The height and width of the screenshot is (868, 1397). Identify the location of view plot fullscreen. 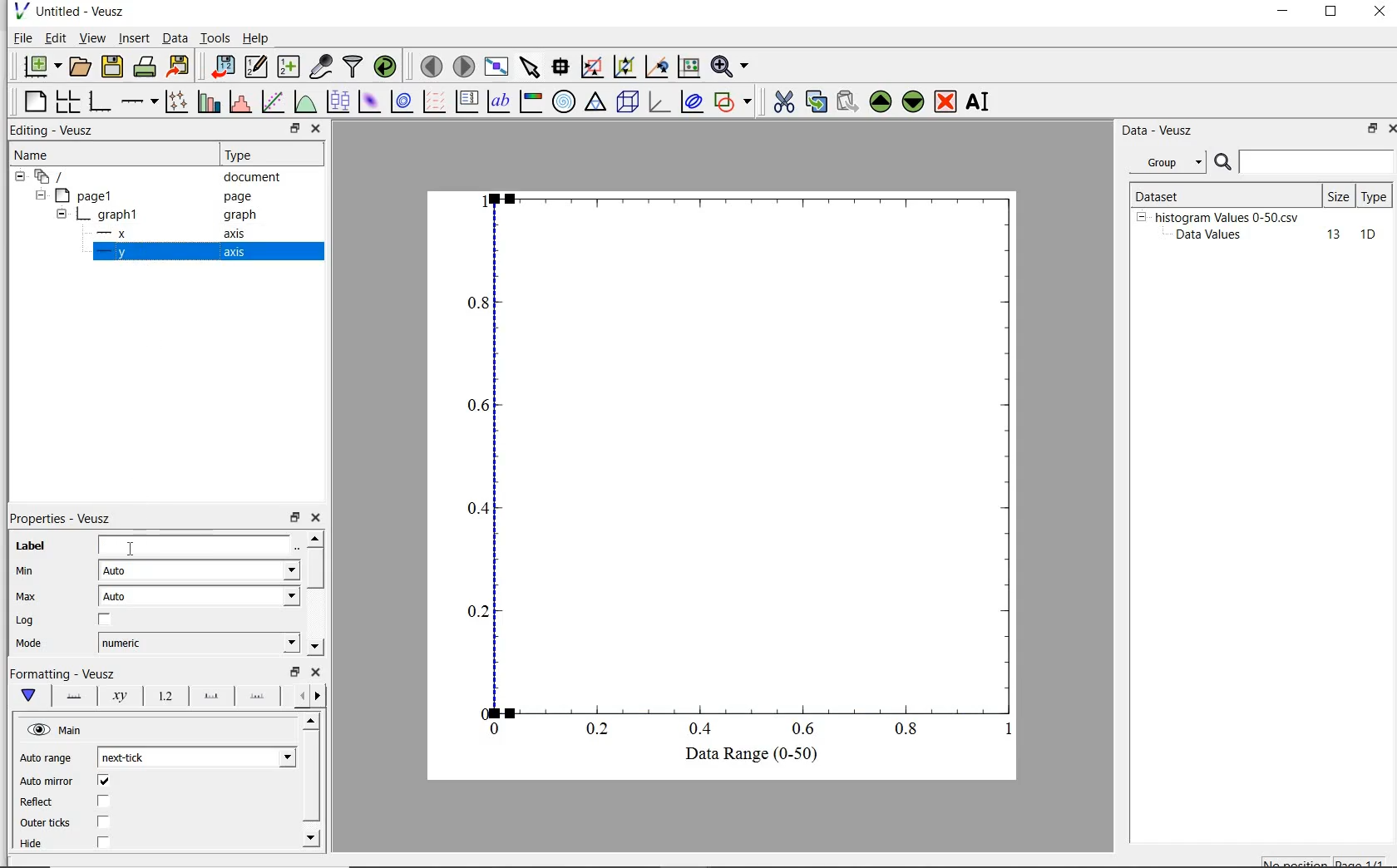
(496, 65).